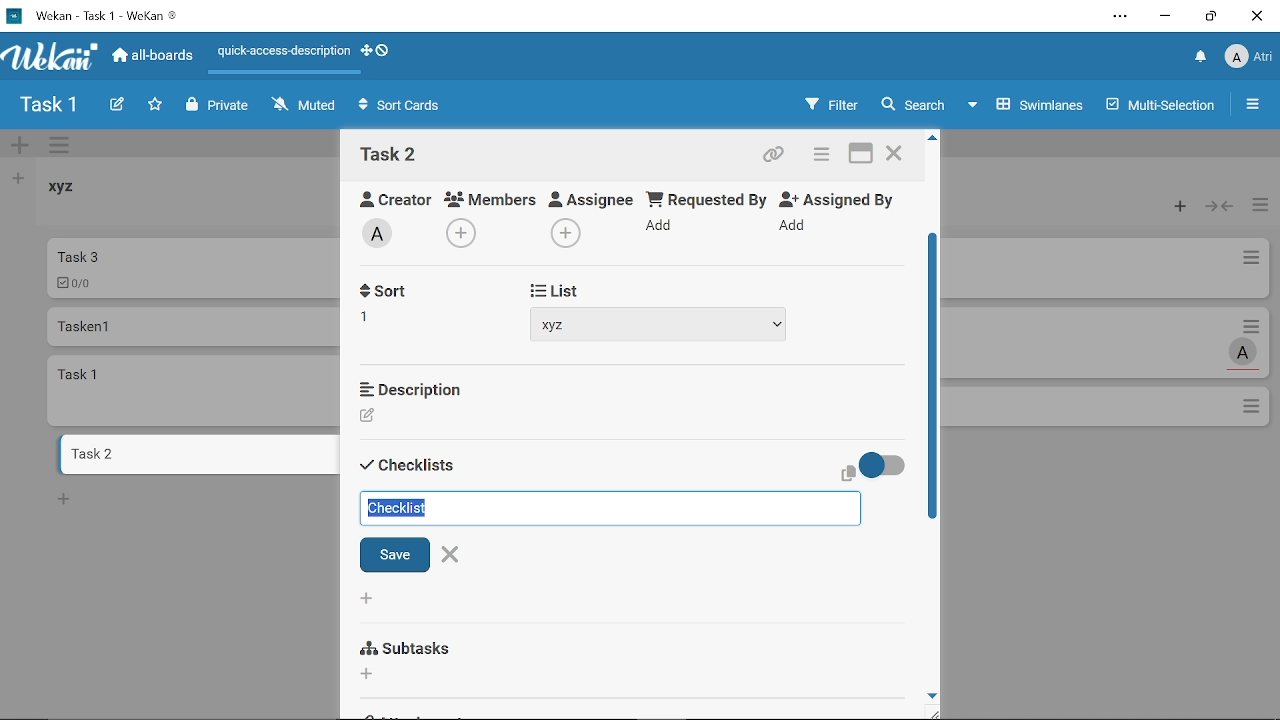  Describe the element at coordinates (707, 198) in the screenshot. I see `Requested By` at that location.